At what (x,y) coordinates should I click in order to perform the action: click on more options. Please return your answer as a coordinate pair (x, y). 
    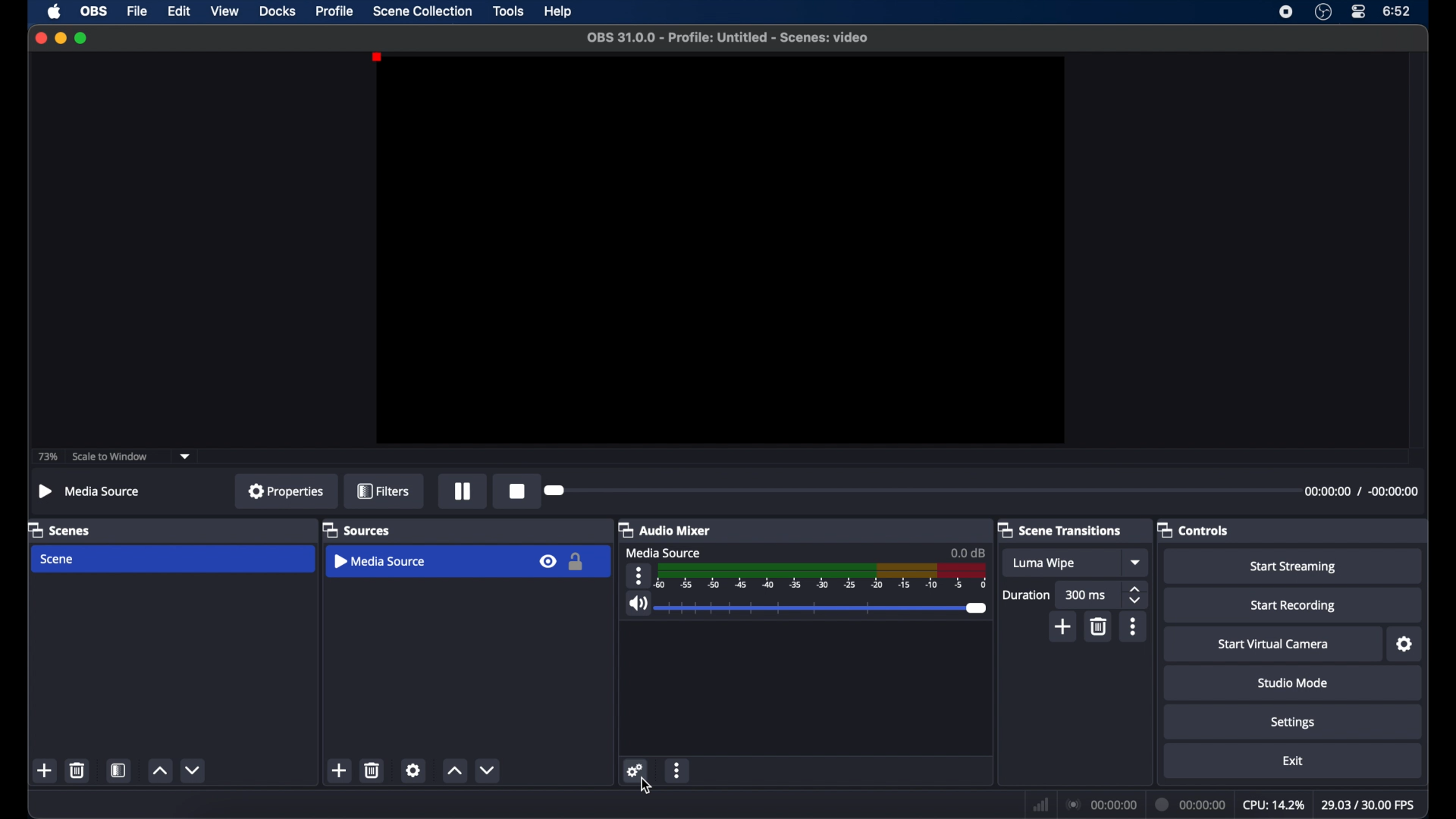
    Looking at the image, I should click on (640, 576).